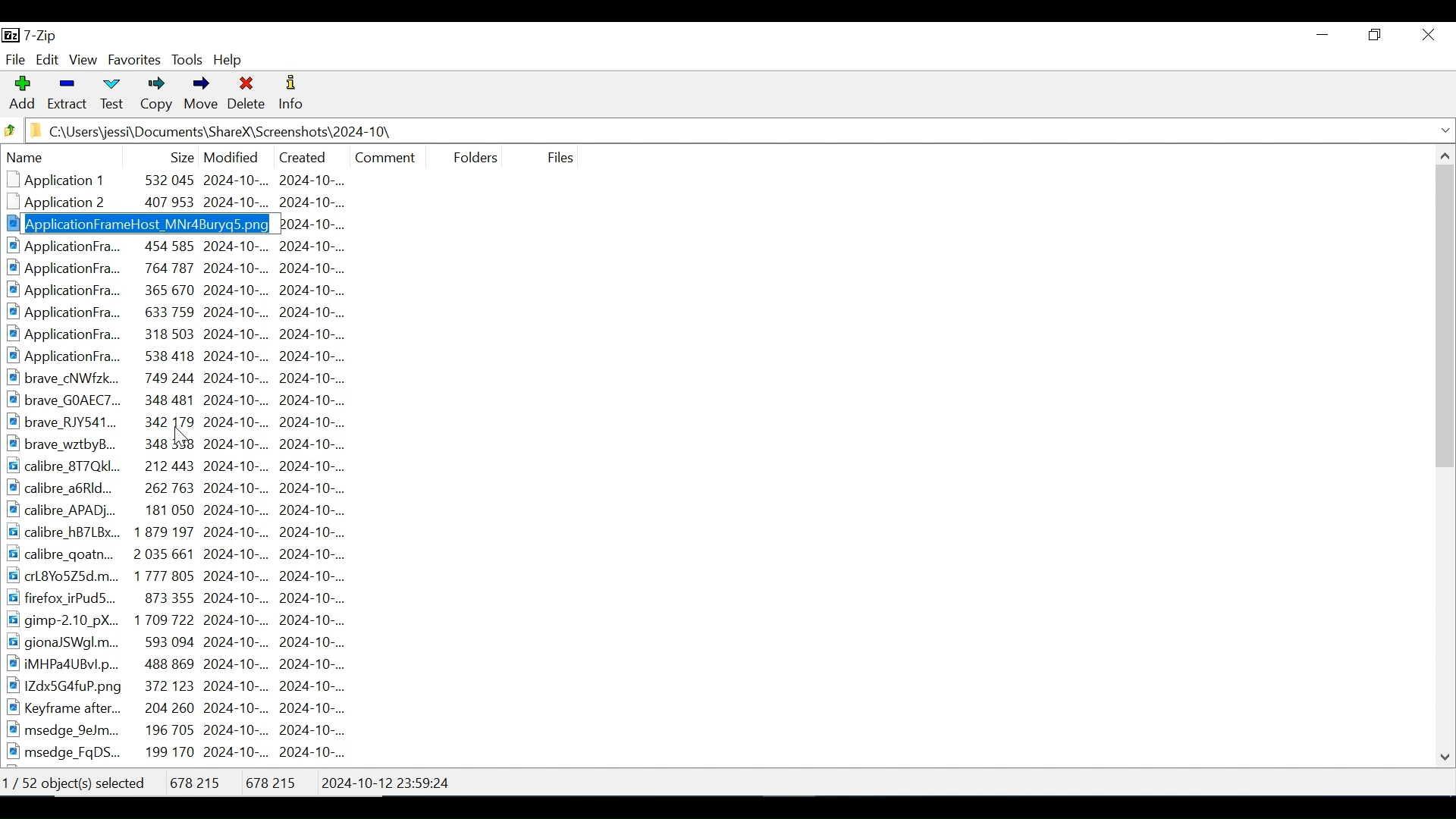  Describe the element at coordinates (153, 96) in the screenshot. I see `Copy` at that location.